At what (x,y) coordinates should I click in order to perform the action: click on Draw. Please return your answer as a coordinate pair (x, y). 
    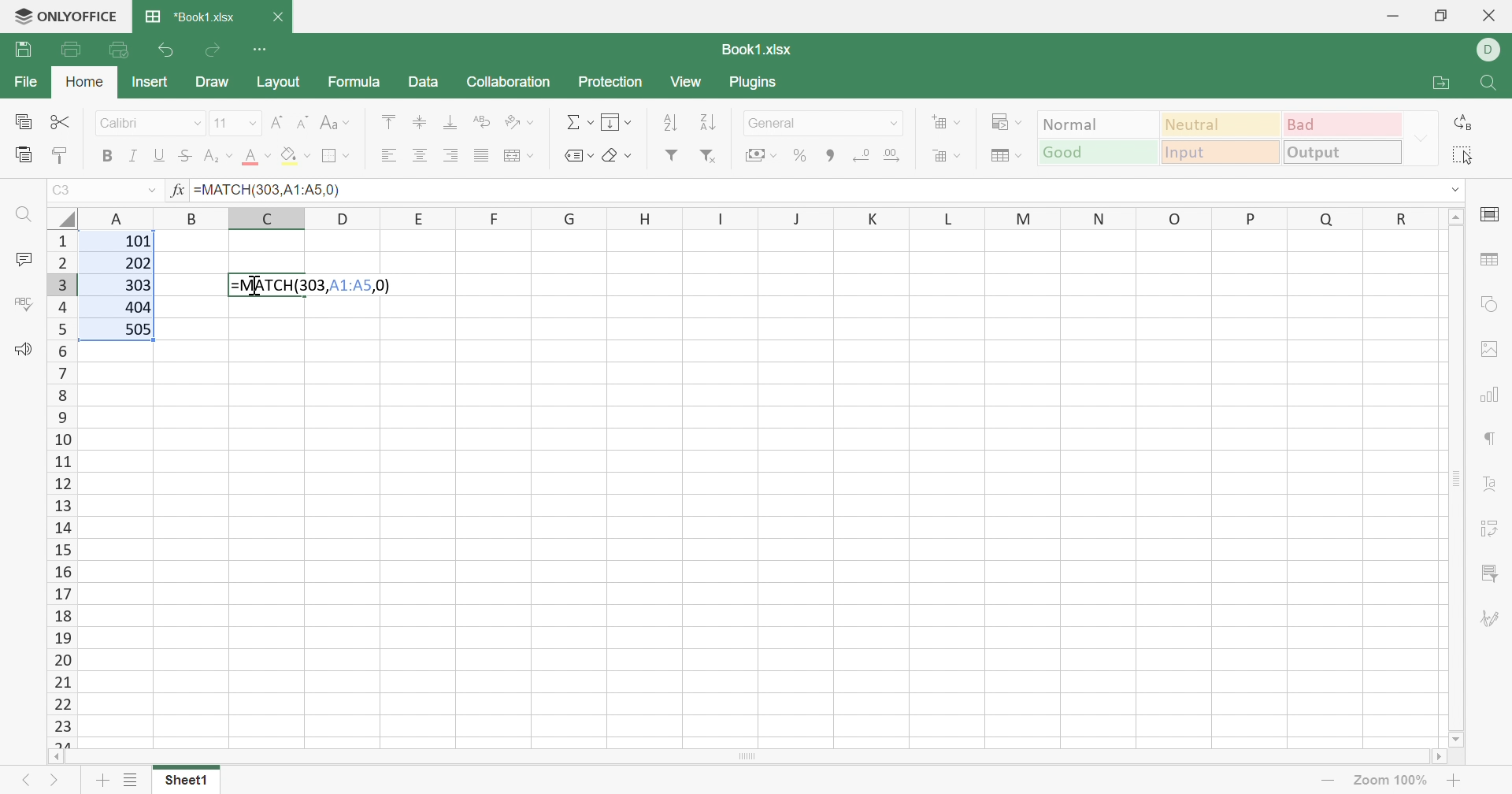
    Looking at the image, I should click on (214, 84).